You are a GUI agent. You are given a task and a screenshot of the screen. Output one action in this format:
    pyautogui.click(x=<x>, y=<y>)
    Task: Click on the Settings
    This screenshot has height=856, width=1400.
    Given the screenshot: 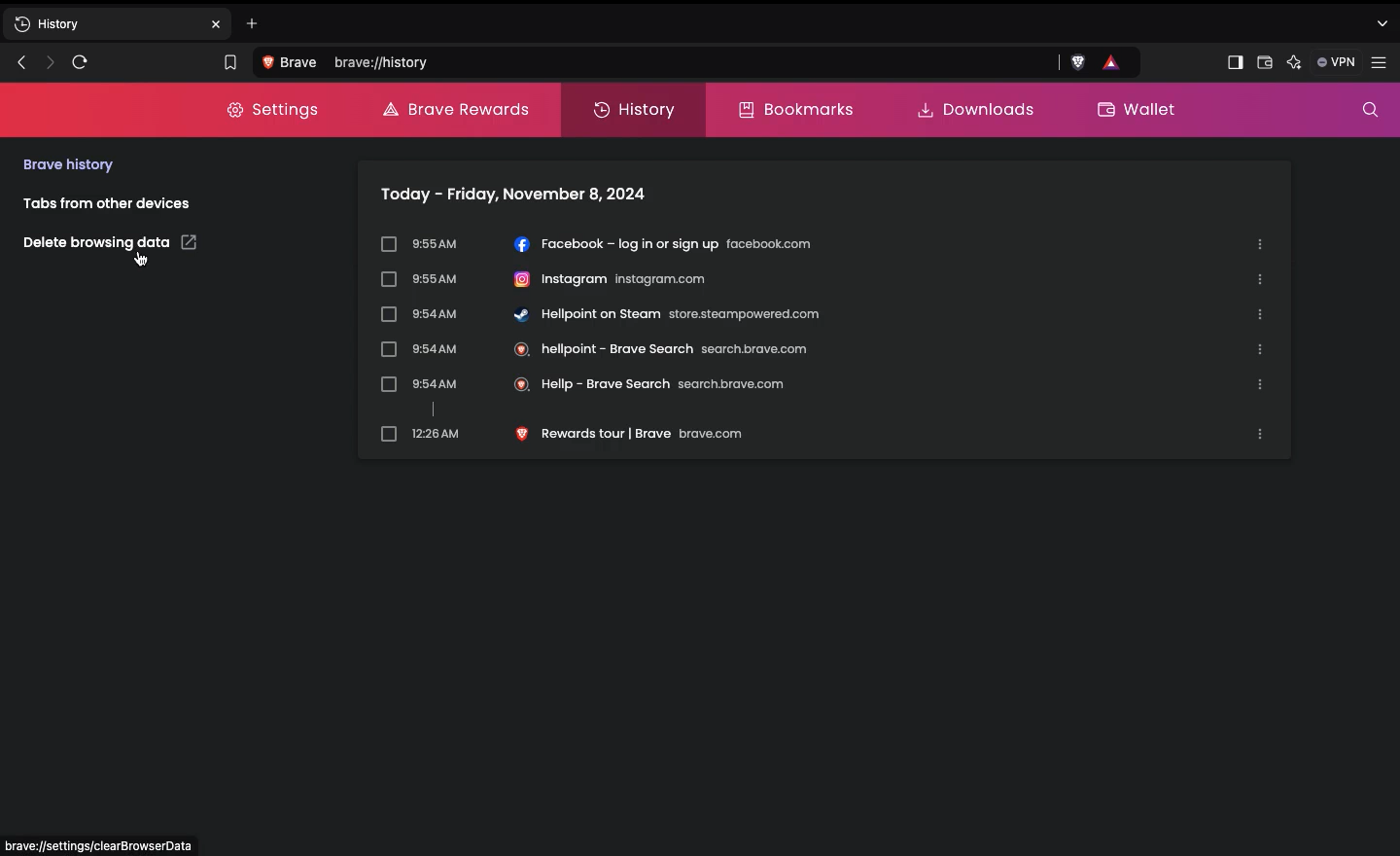 What is the action you would take?
    pyautogui.click(x=274, y=110)
    